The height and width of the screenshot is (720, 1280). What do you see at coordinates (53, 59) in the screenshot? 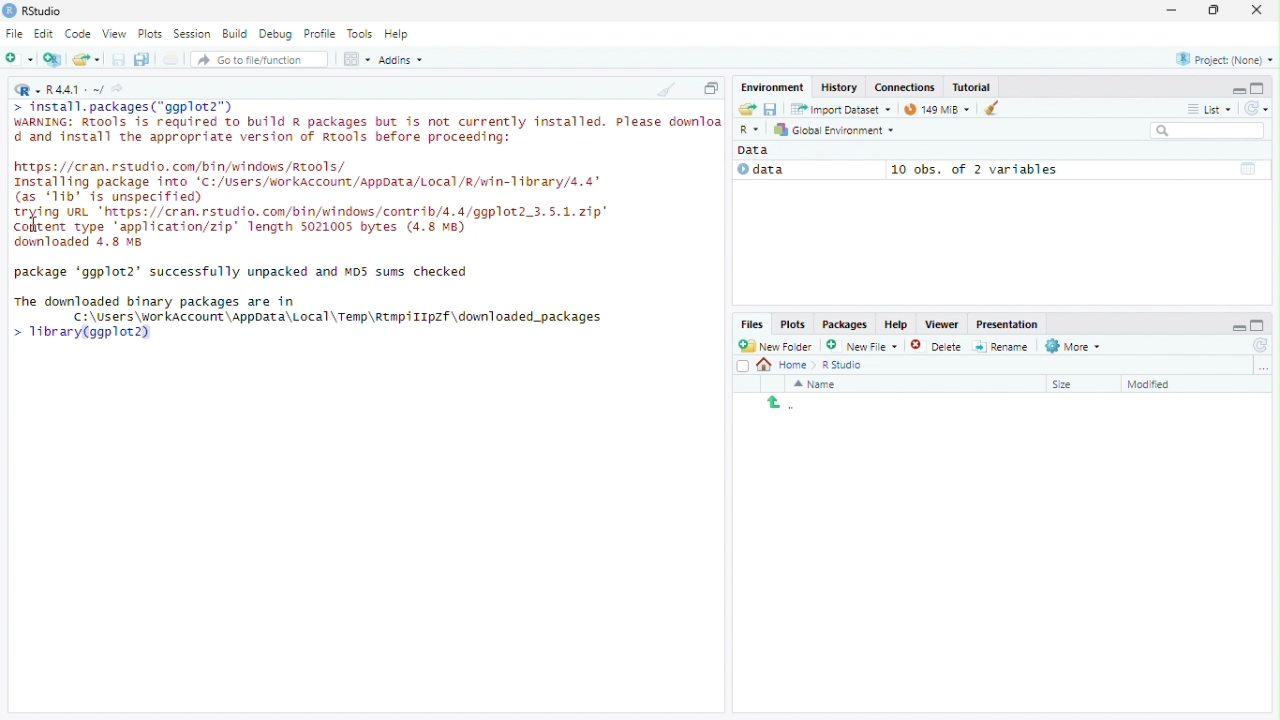
I see `create a project` at bounding box center [53, 59].